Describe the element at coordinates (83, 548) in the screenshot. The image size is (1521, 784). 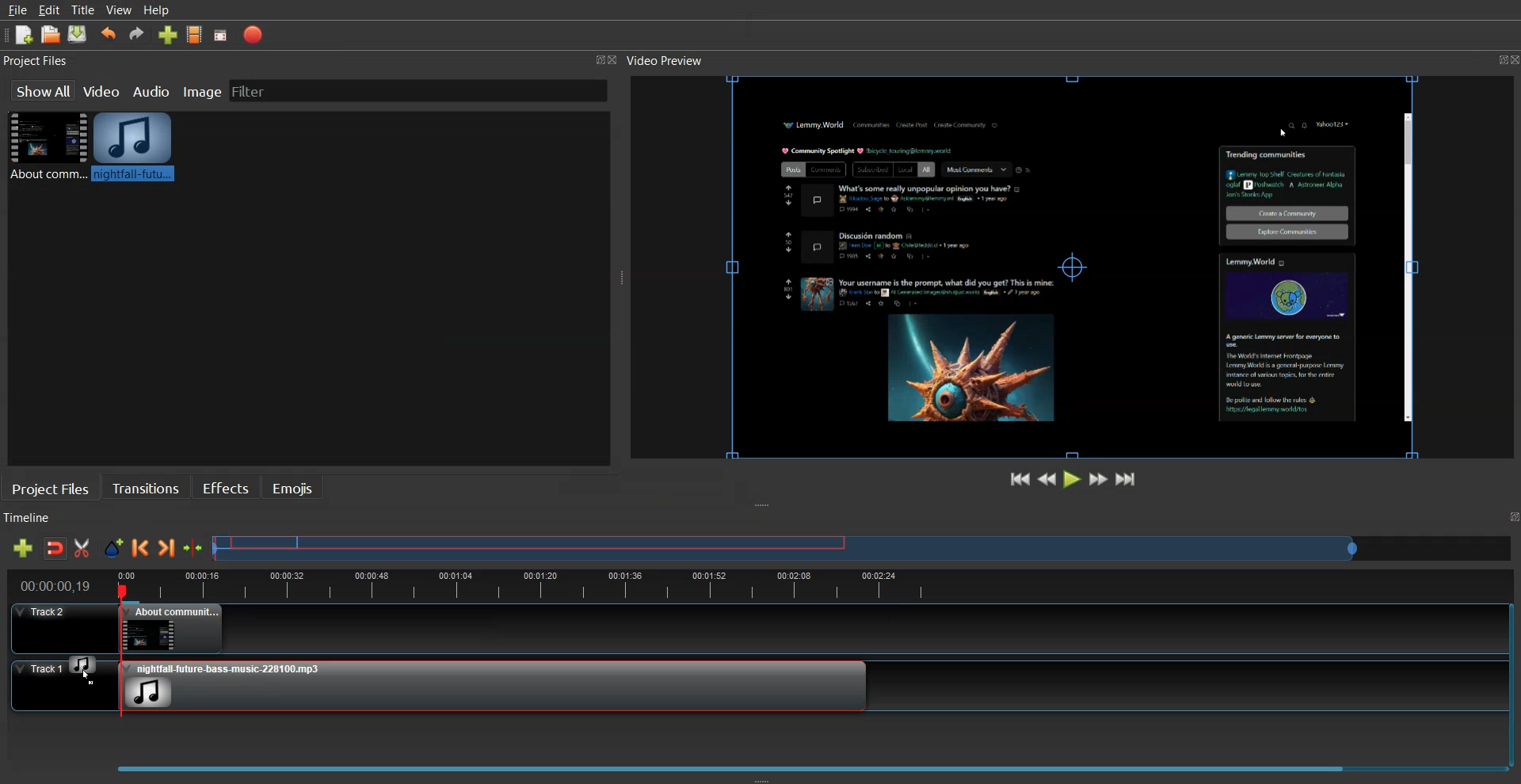
I see `Razor Track` at that location.